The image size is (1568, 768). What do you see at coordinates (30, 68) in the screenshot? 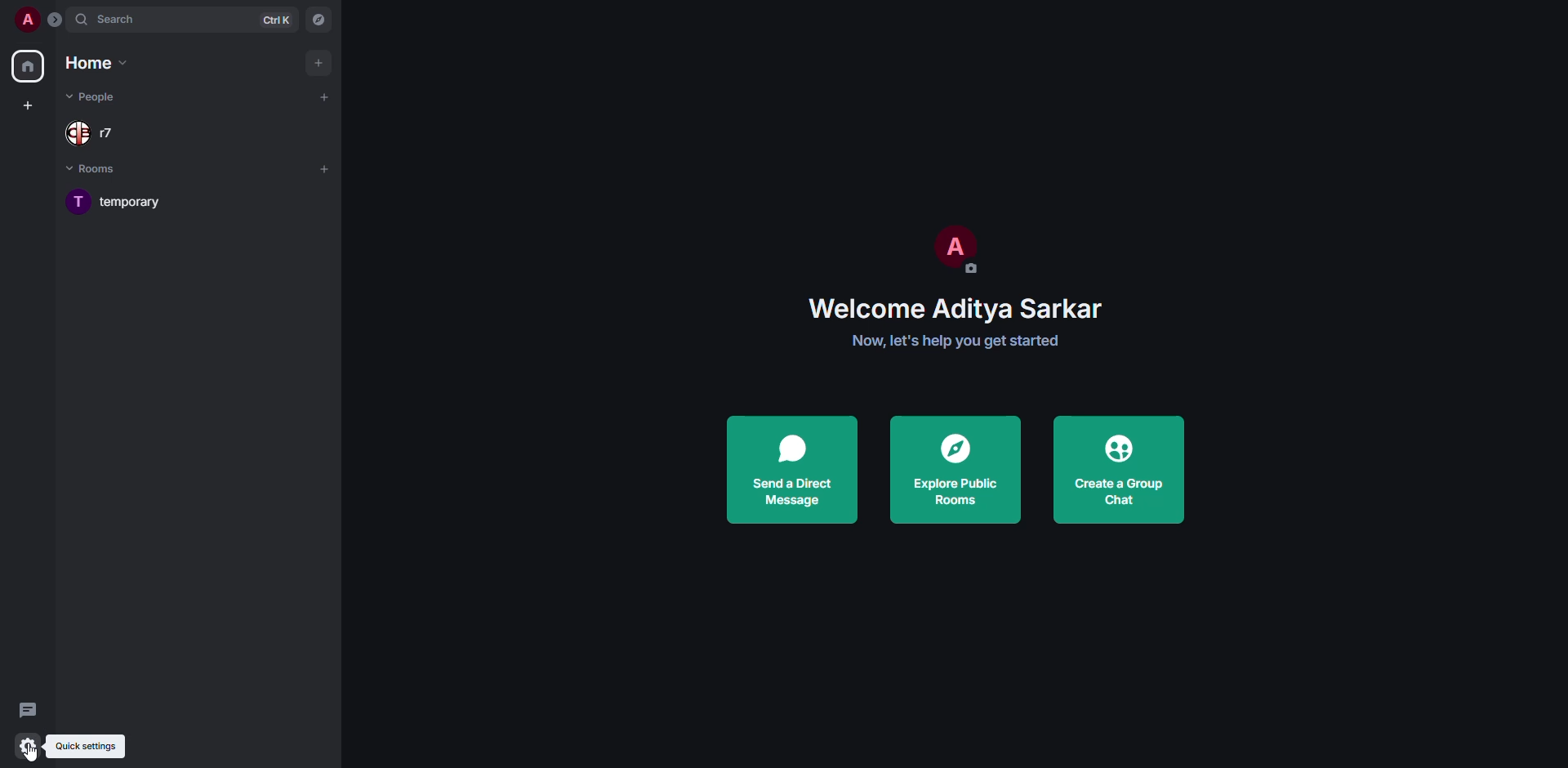
I see `home` at bounding box center [30, 68].